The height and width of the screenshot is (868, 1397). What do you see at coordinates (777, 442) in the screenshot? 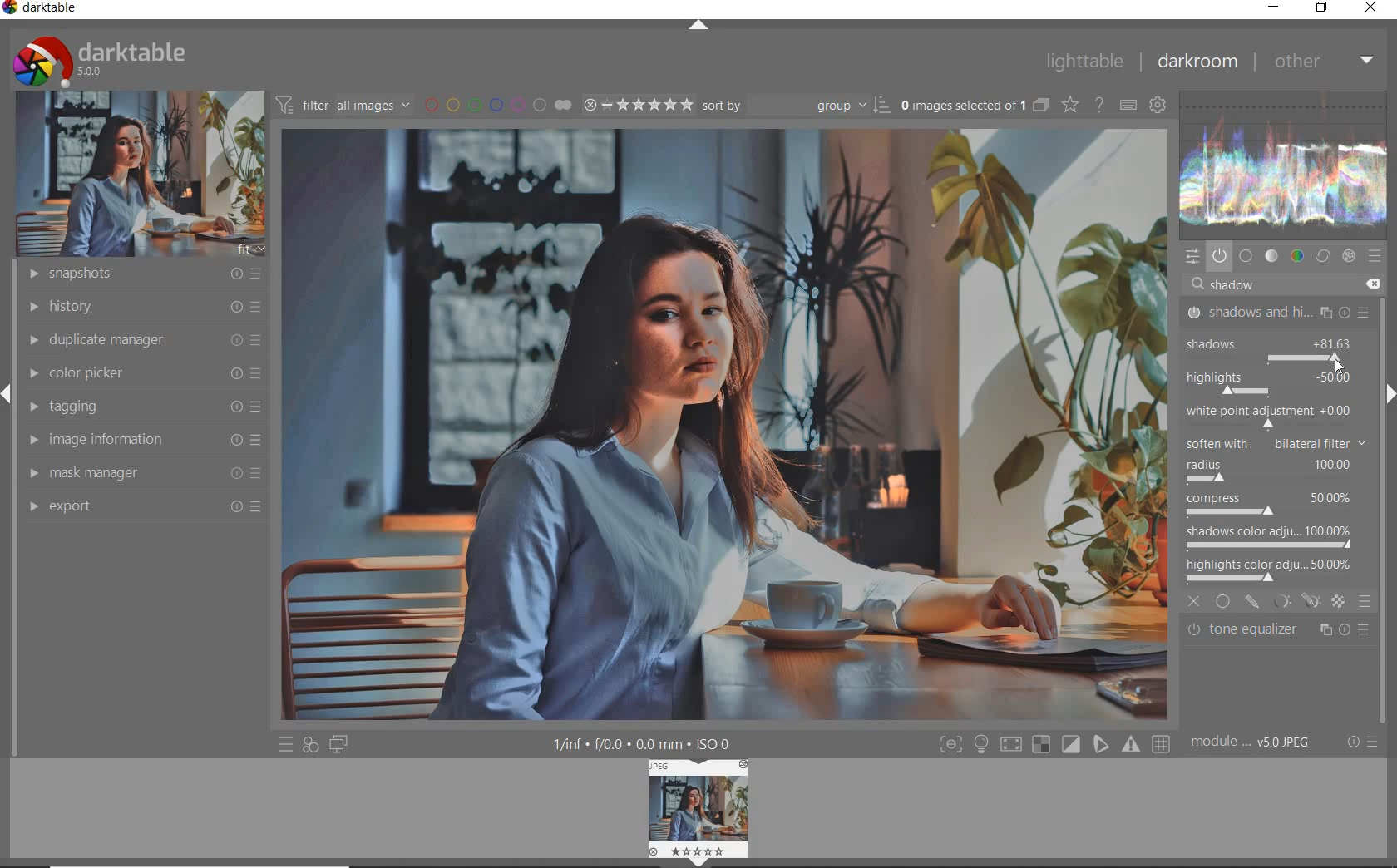
I see `lost detail in shadow areas recovered` at bounding box center [777, 442].